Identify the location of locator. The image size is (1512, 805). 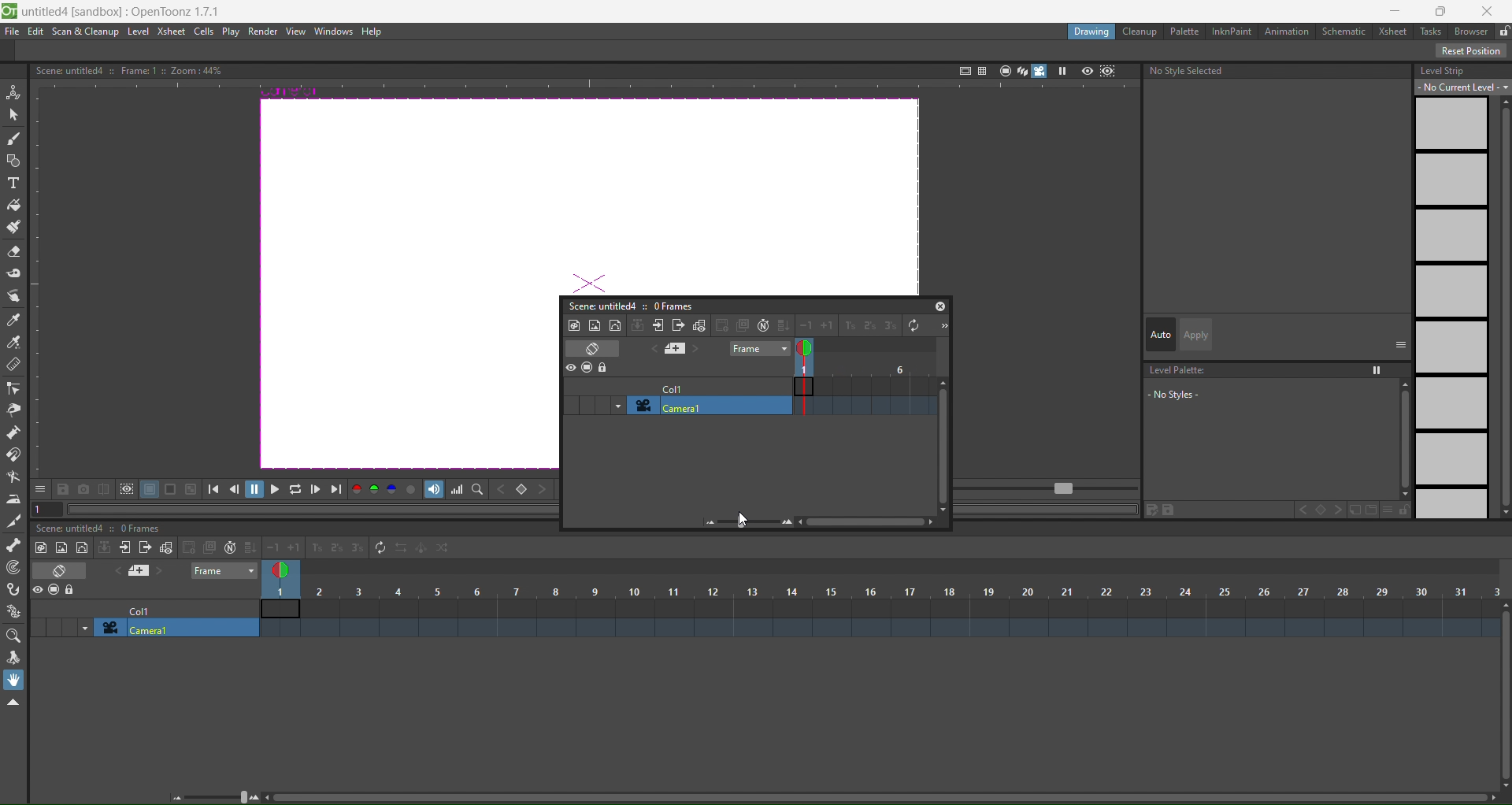
(522, 491).